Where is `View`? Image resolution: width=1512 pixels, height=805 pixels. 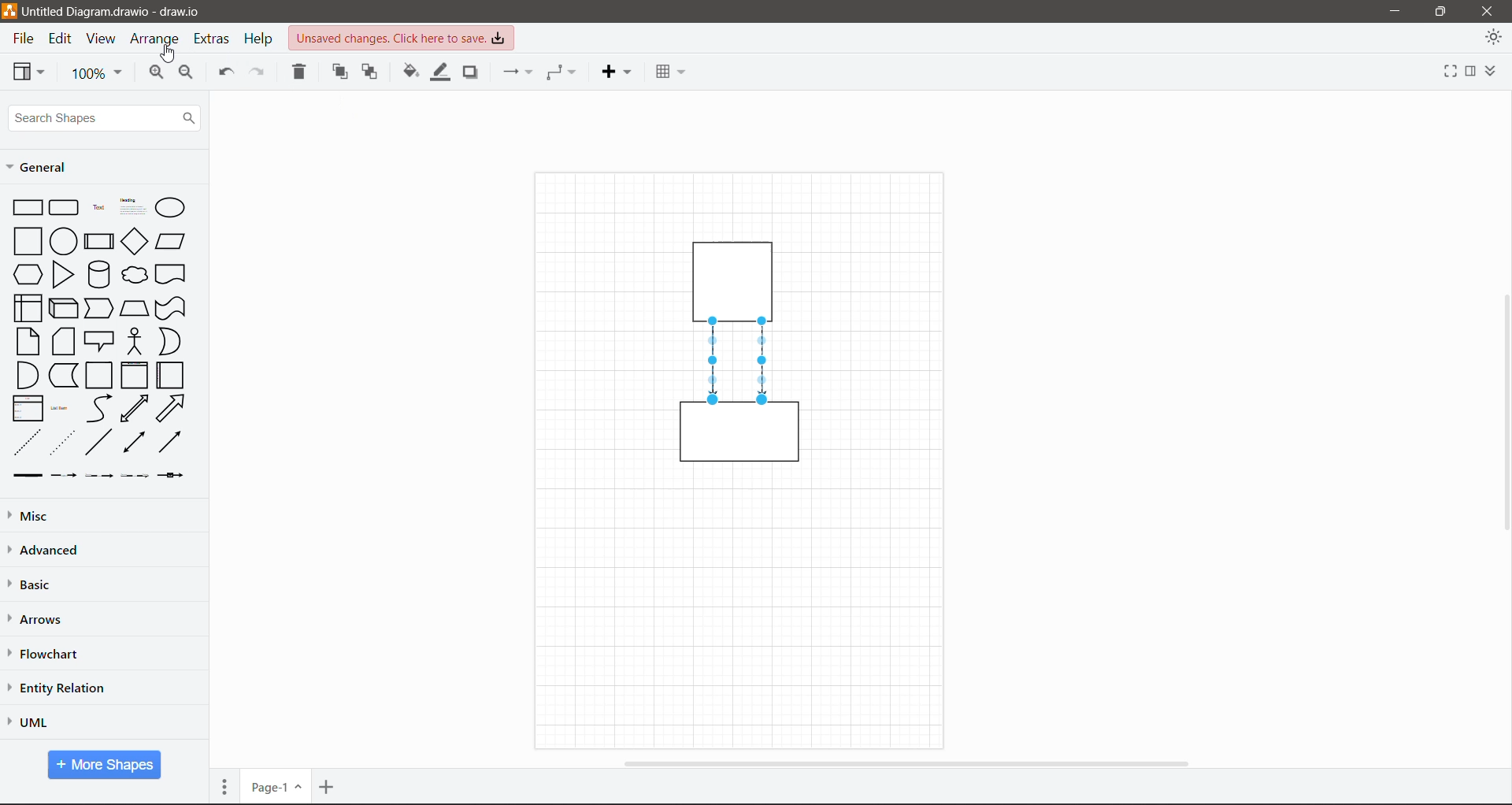 View is located at coordinates (29, 71).